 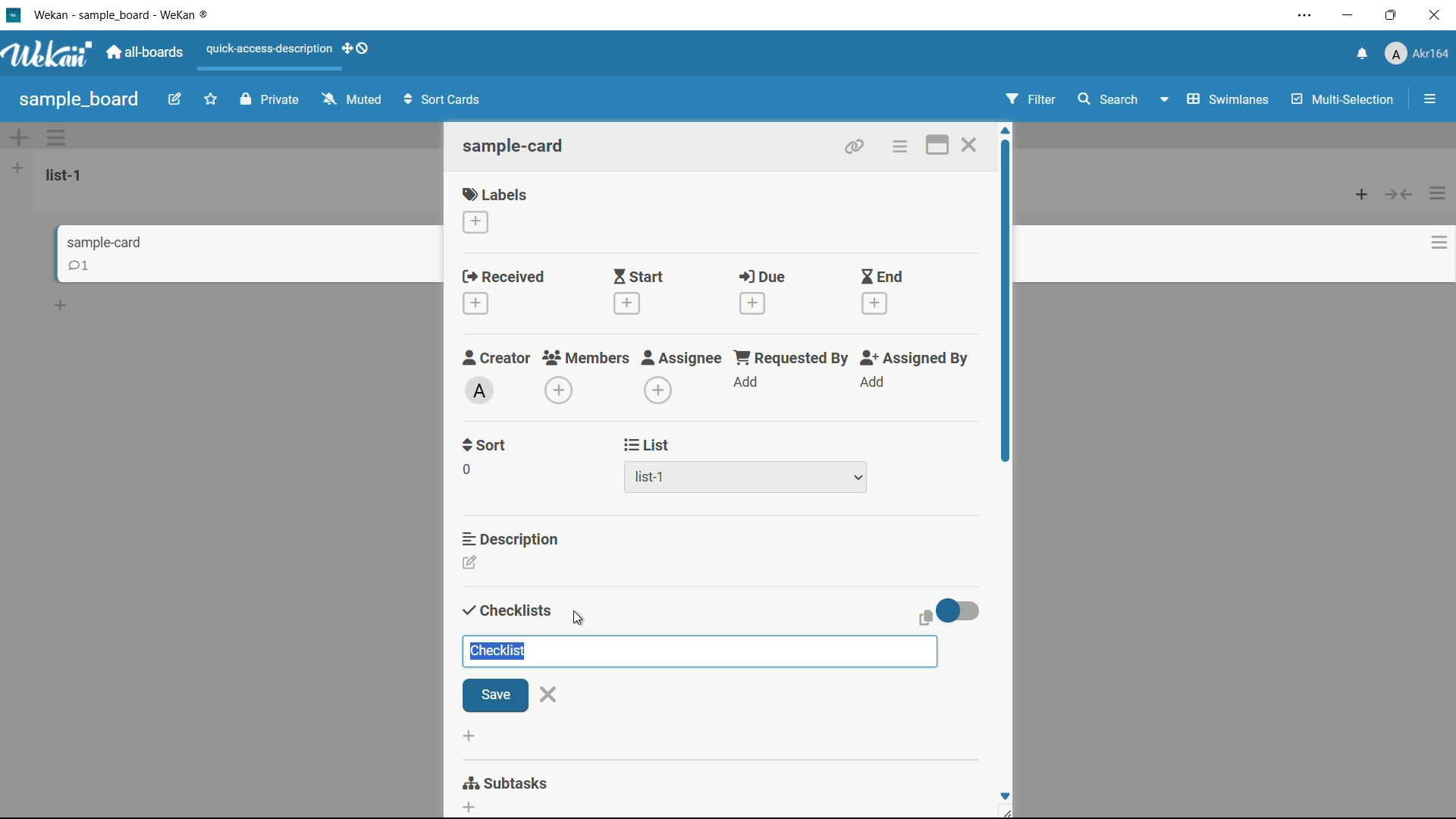 I want to click on profile, so click(x=1418, y=55).